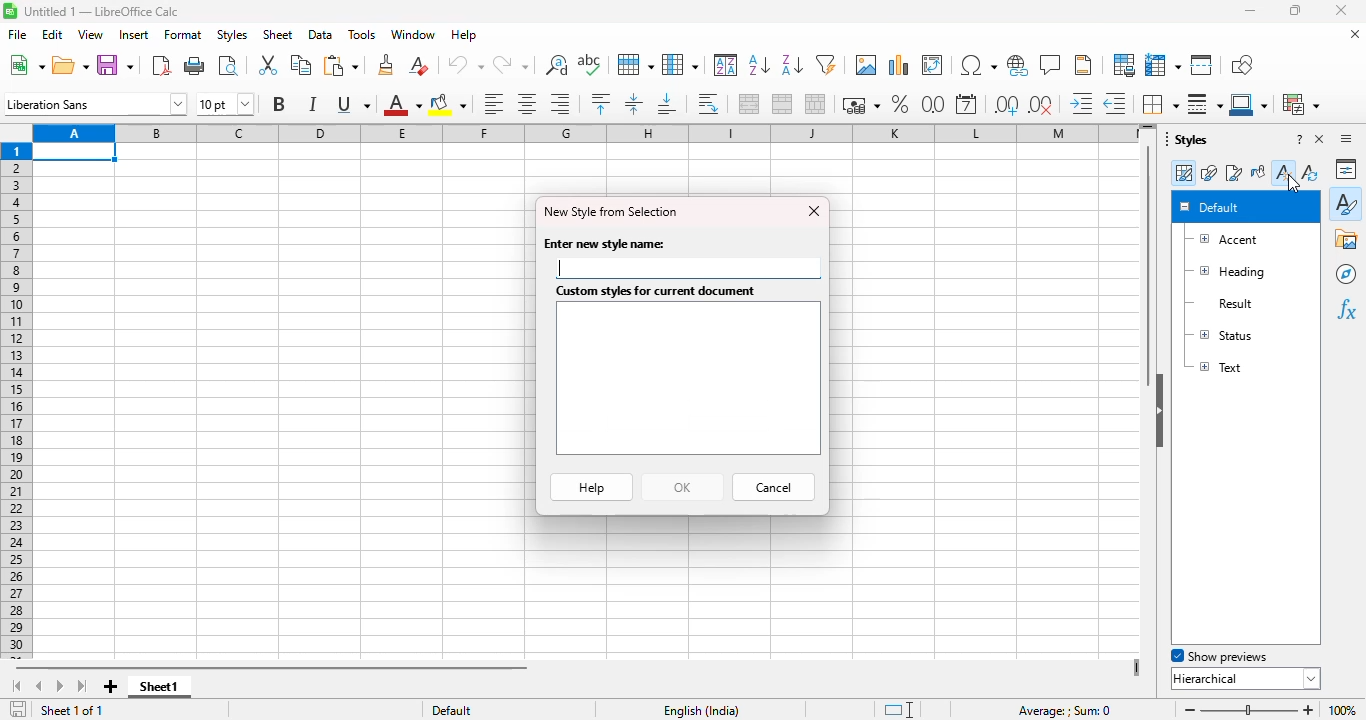 This screenshot has height=720, width=1366. I want to click on insert hyperlink, so click(1018, 65).